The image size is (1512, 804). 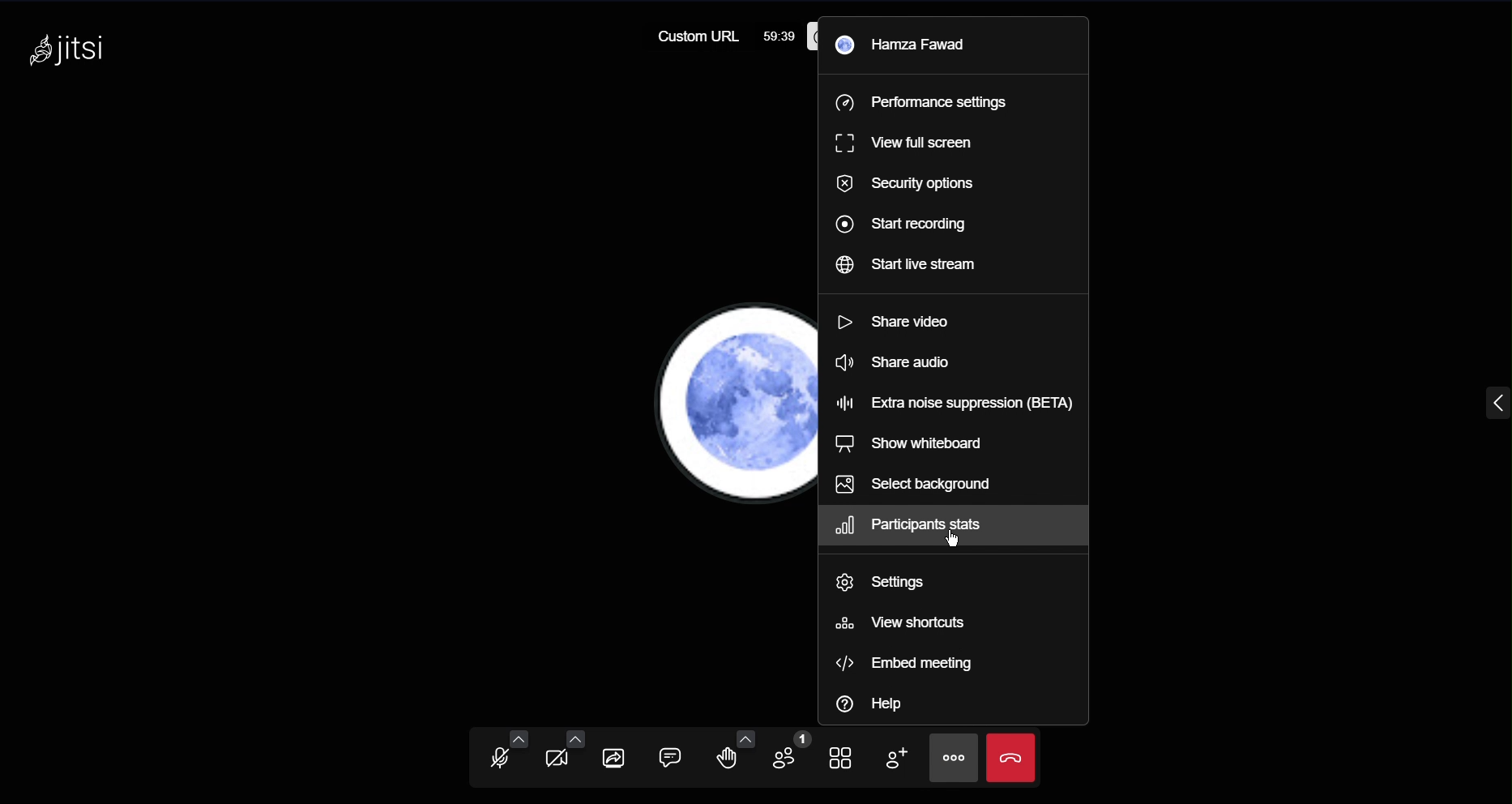 I want to click on cursor, so click(x=959, y=542).